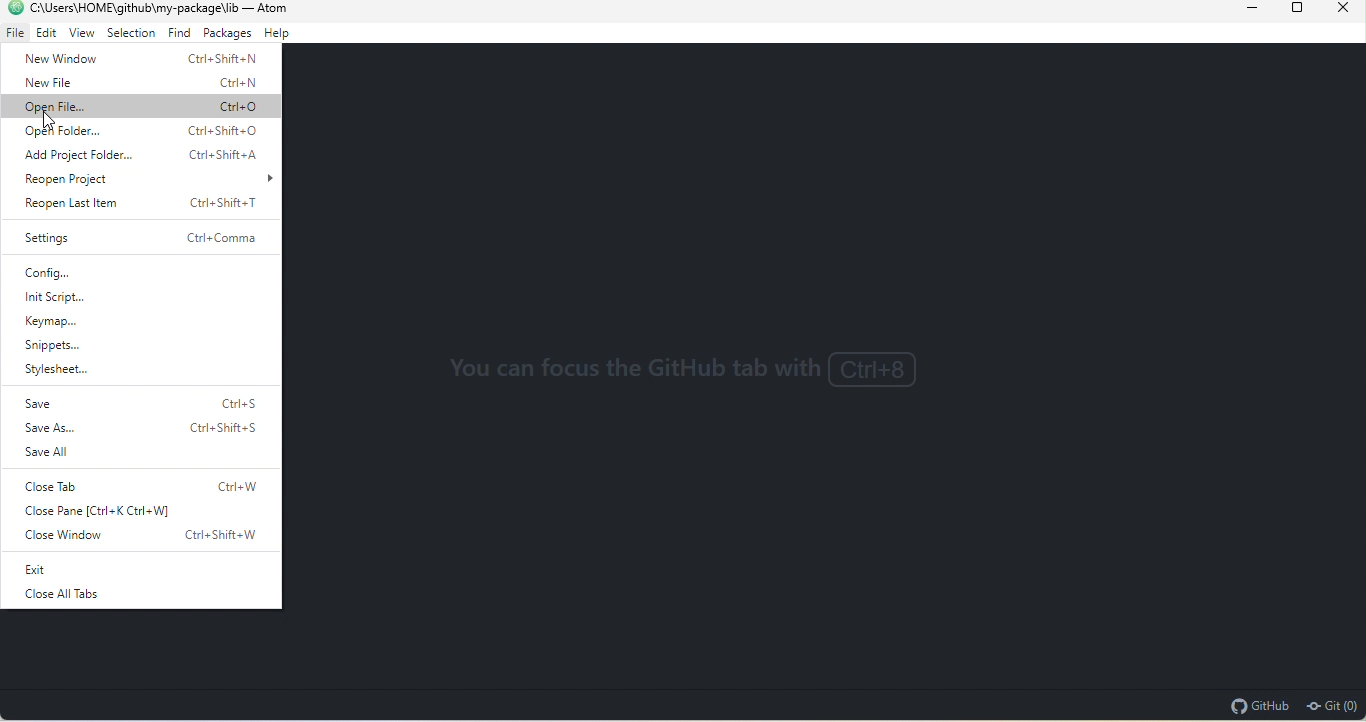 This screenshot has width=1366, height=722. Describe the element at coordinates (226, 35) in the screenshot. I see `packages` at that location.